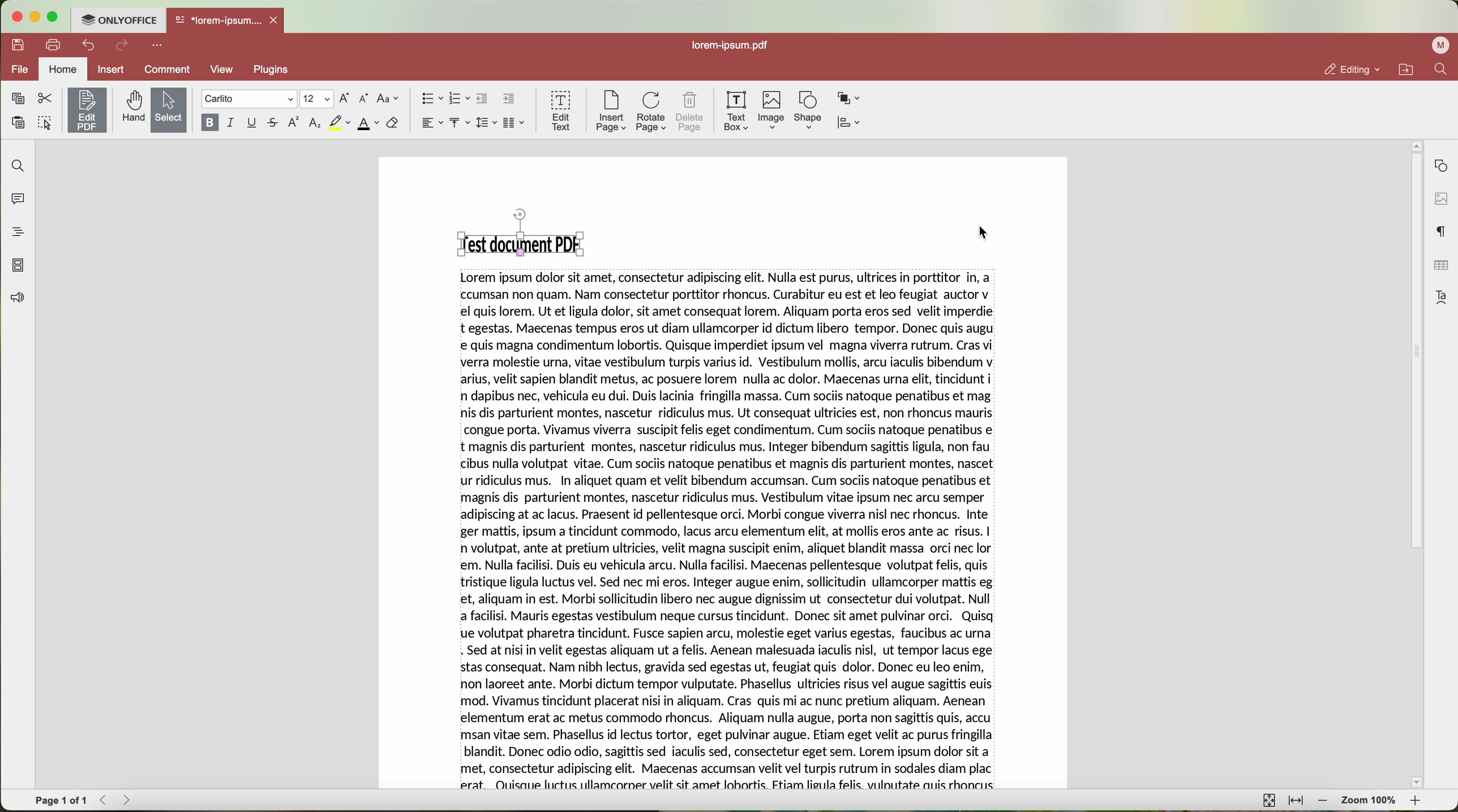  Describe the element at coordinates (37, 17) in the screenshot. I see `minimize` at that location.